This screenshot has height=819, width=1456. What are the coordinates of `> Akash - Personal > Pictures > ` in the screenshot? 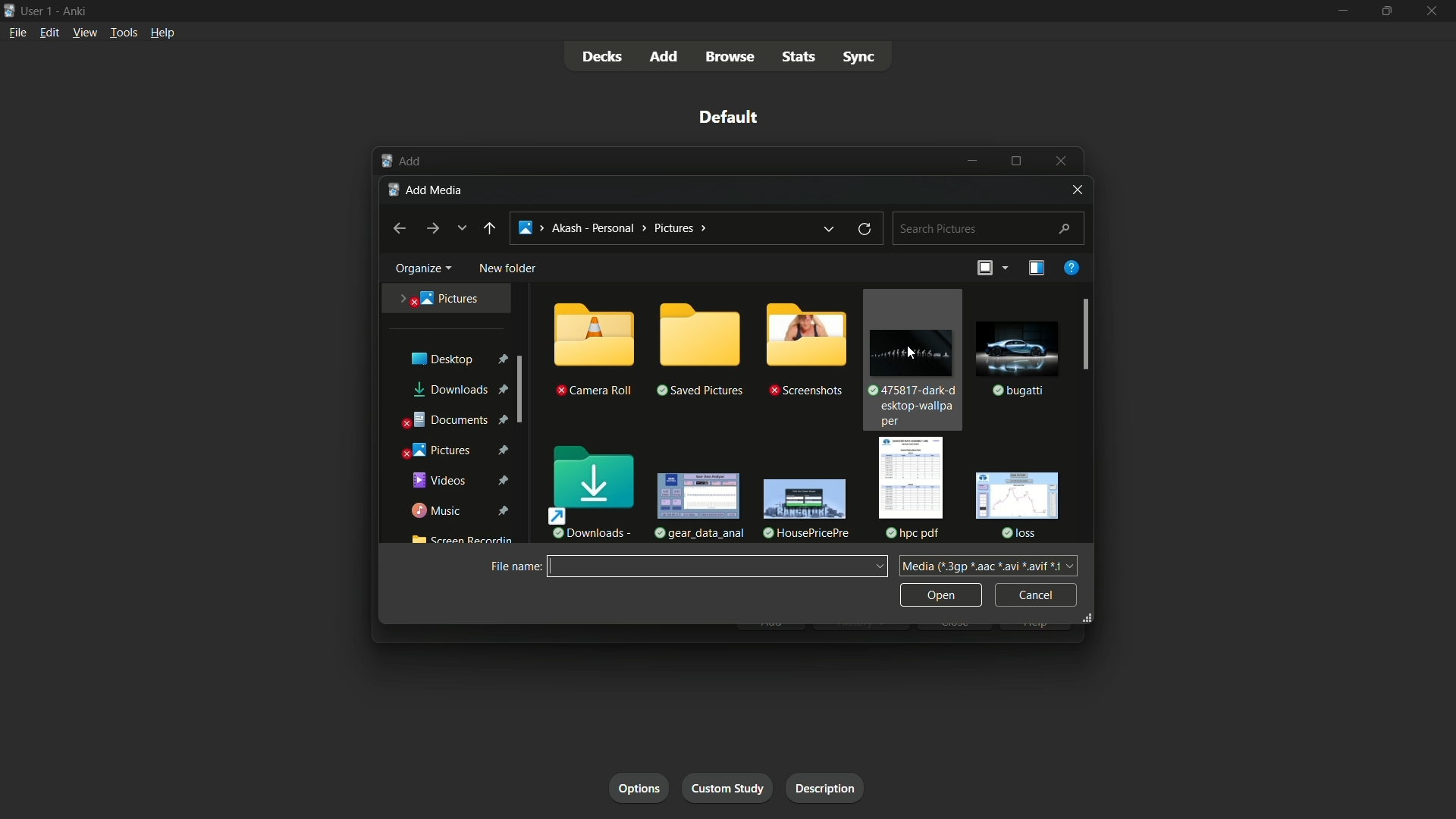 It's located at (613, 228).